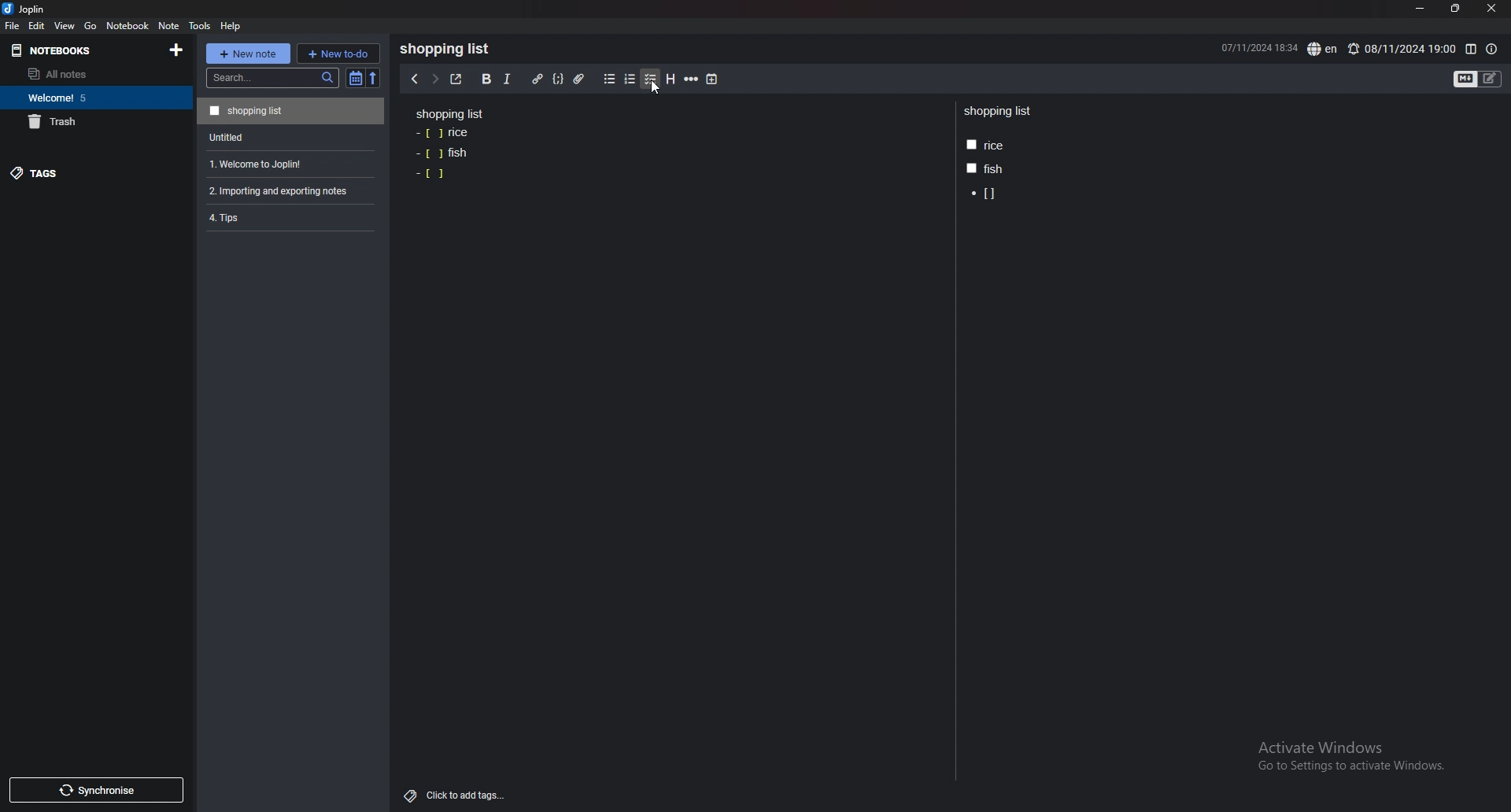 The image size is (1511, 812). Describe the element at coordinates (177, 49) in the screenshot. I see `add notebooks` at that location.